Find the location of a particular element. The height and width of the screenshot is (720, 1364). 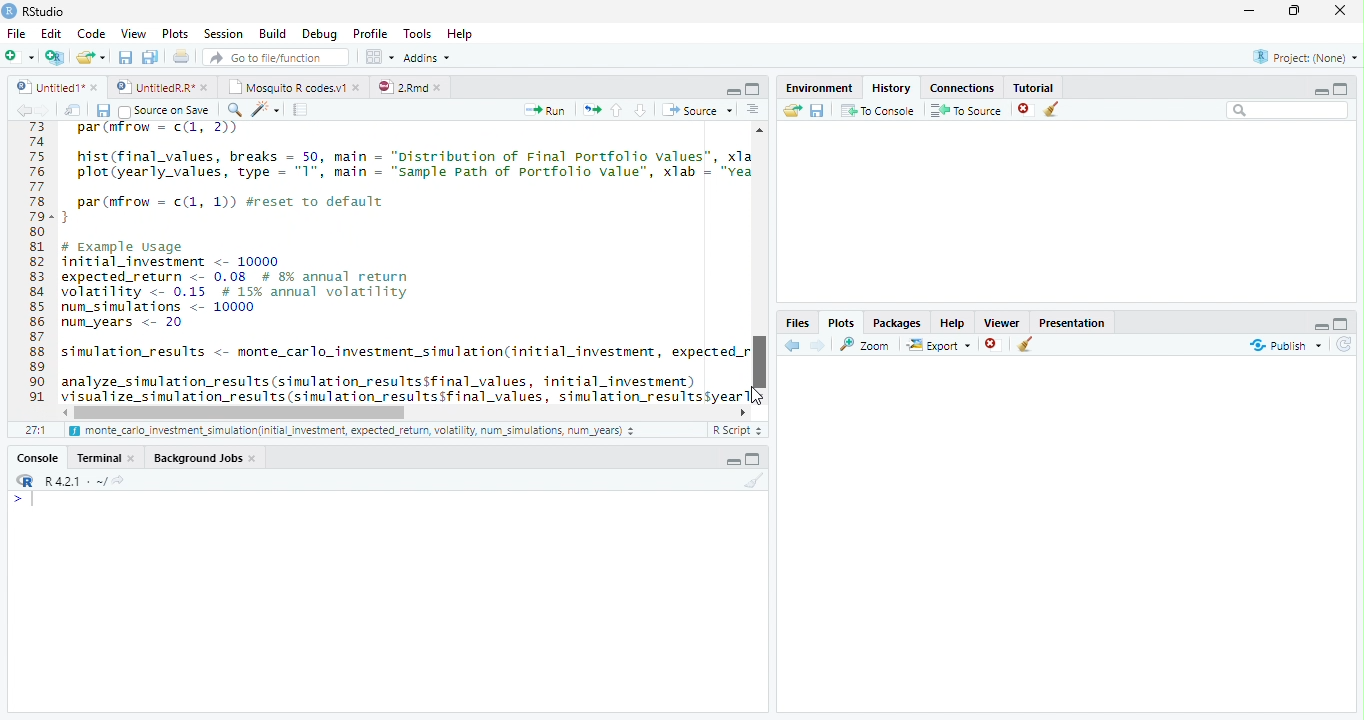

Hide is located at coordinates (1321, 90).